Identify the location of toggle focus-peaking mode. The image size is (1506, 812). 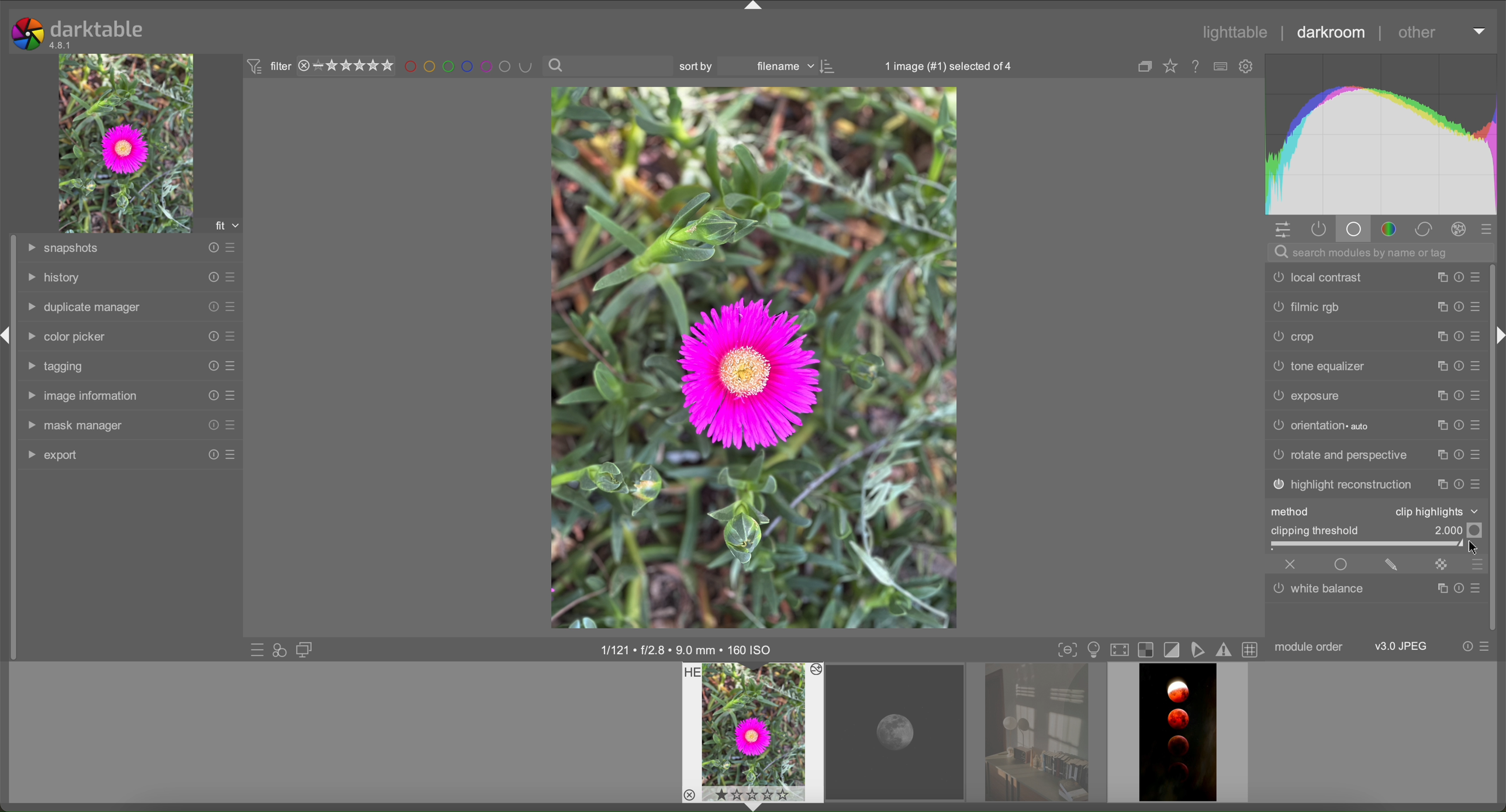
(1068, 649).